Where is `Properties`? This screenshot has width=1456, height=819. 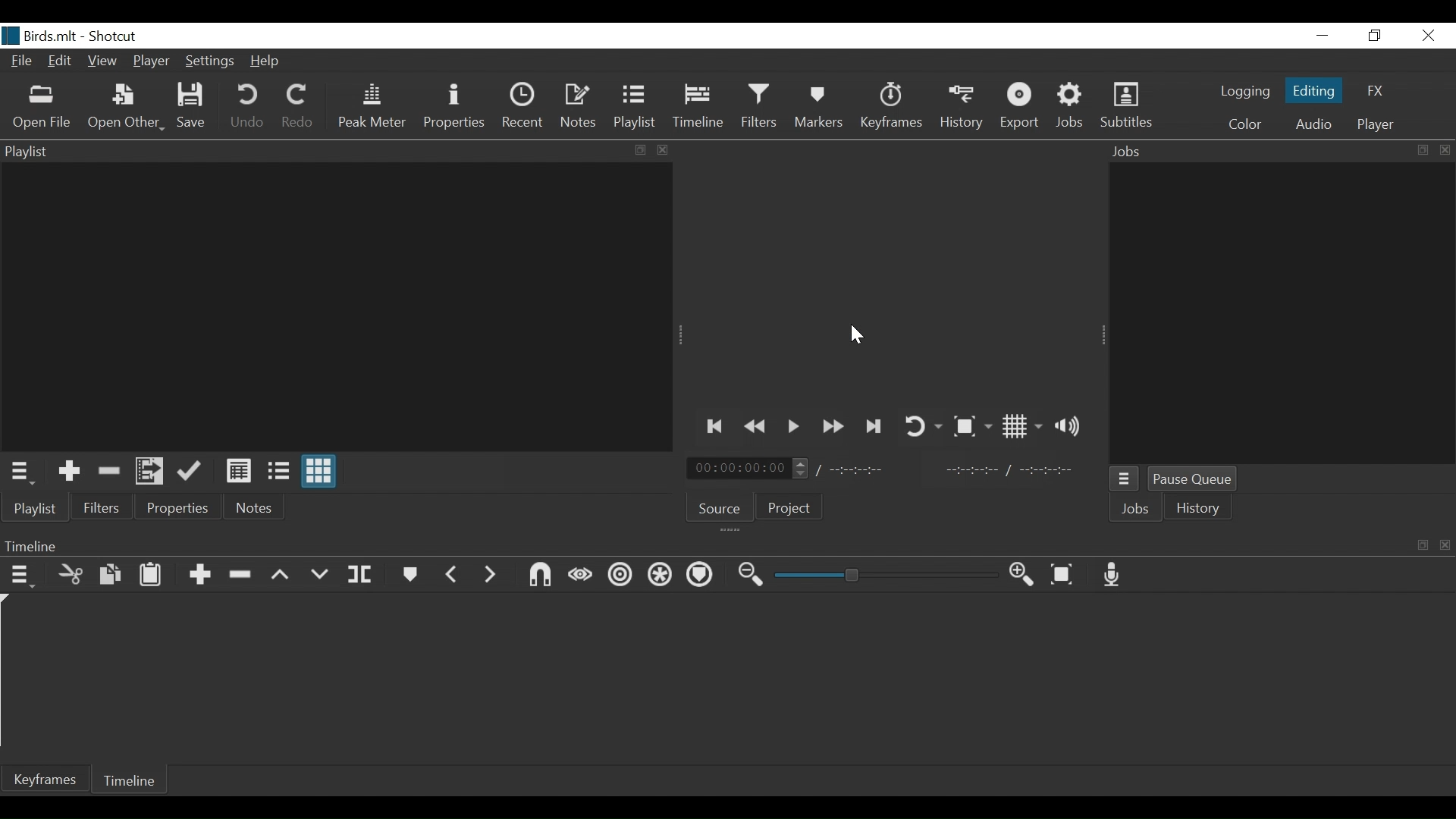 Properties is located at coordinates (453, 106).